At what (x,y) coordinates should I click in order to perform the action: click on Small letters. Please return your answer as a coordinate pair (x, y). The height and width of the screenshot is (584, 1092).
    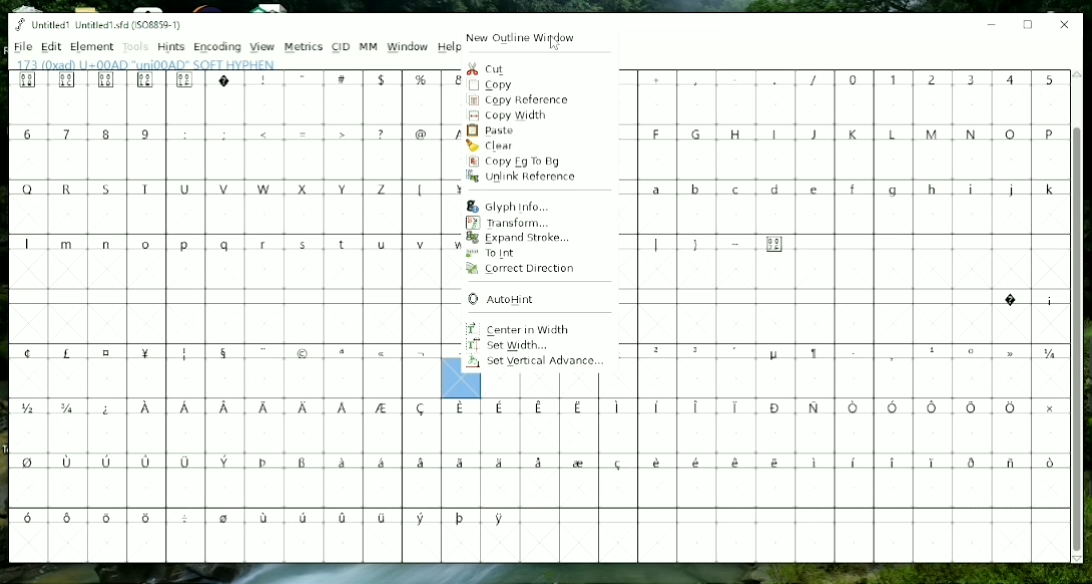
    Looking at the image, I should click on (226, 241).